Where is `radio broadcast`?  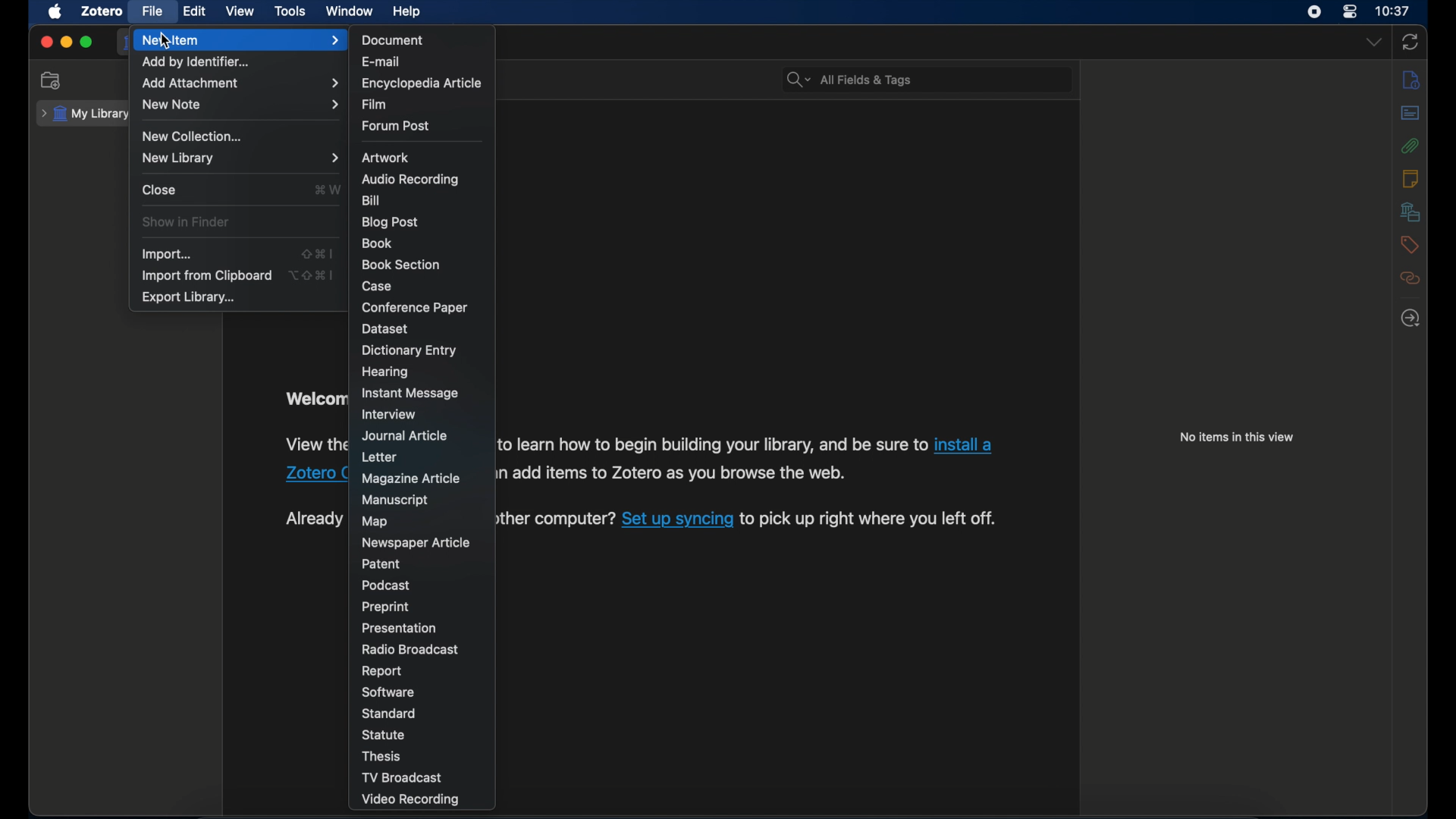
radio broadcast is located at coordinates (410, 649).